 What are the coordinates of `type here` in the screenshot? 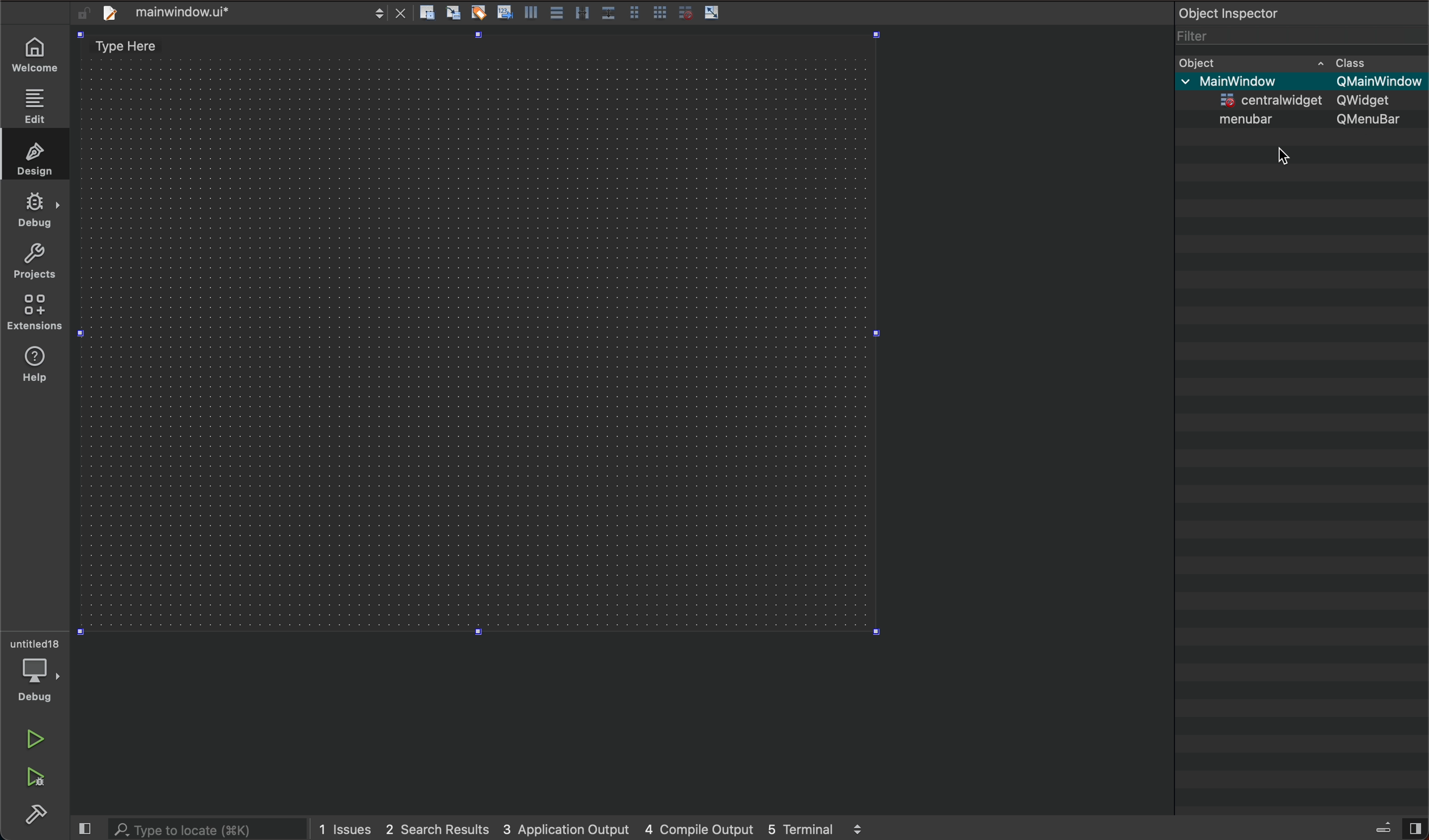 It's located at (141, 50).